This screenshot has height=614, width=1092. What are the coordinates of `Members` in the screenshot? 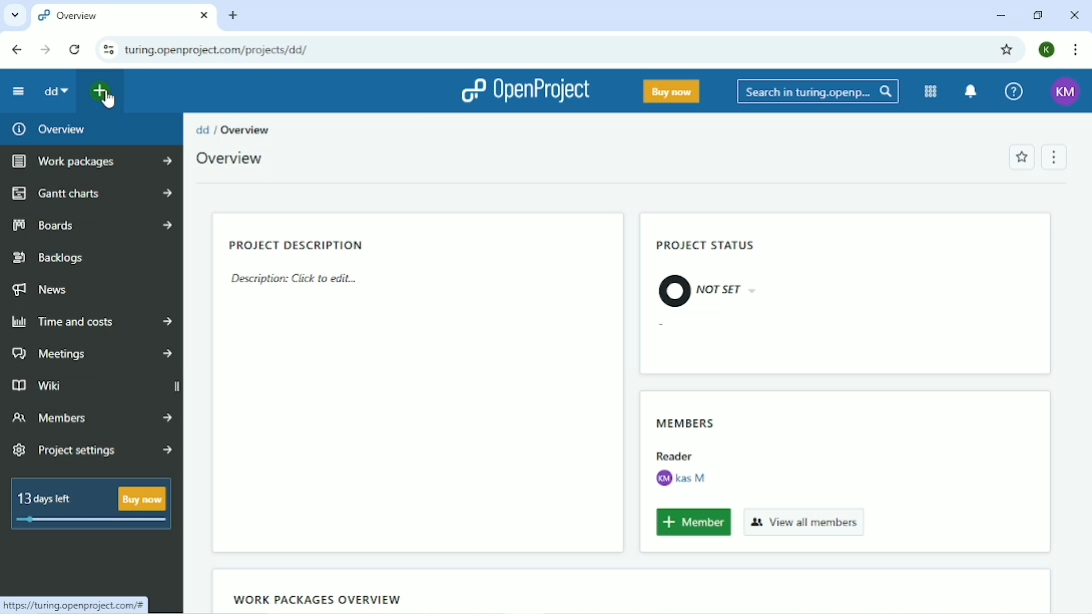 It's located at (687, 423).